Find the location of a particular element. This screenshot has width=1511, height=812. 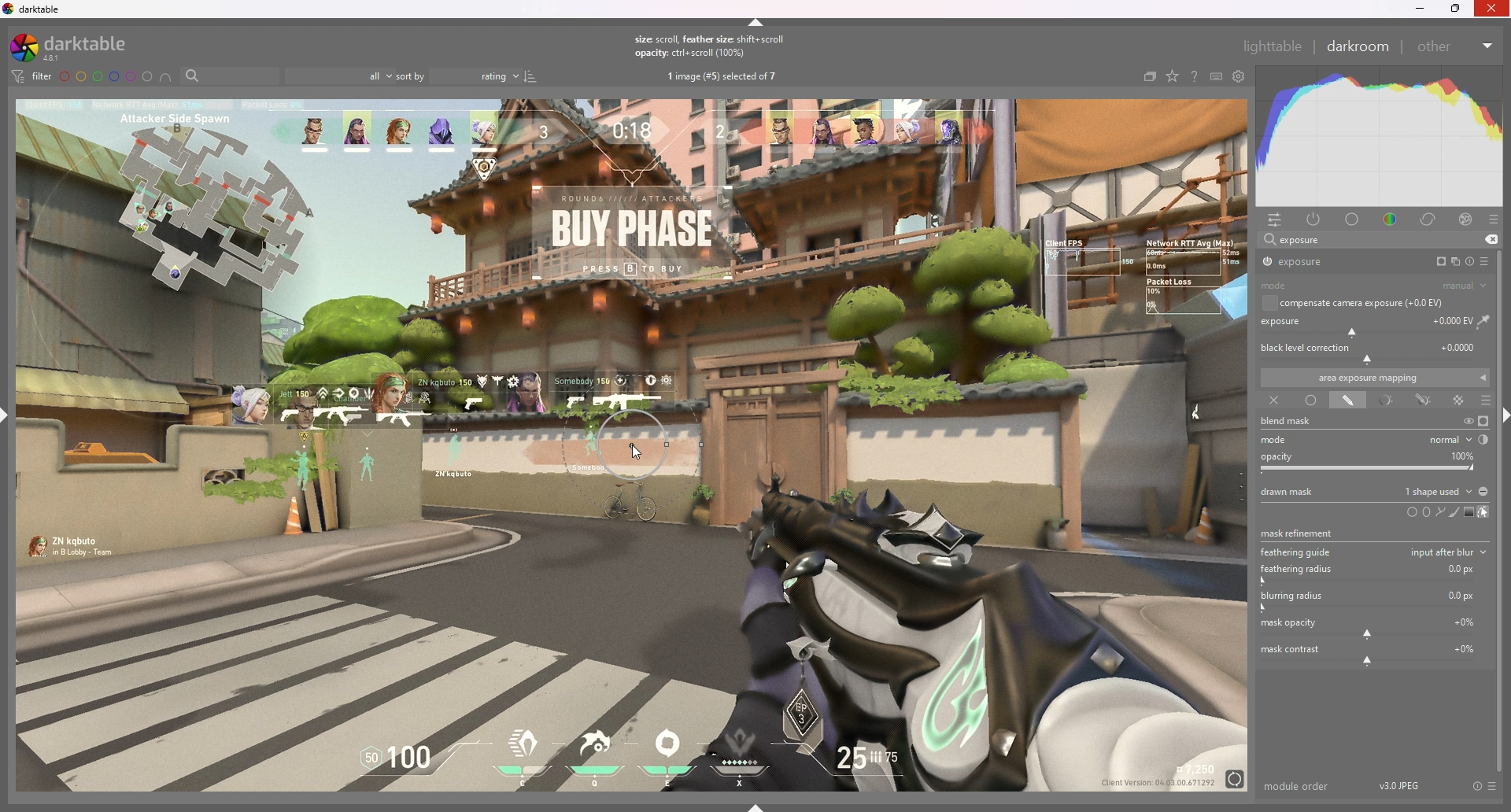

correct is located at coordinates (1430, 220).